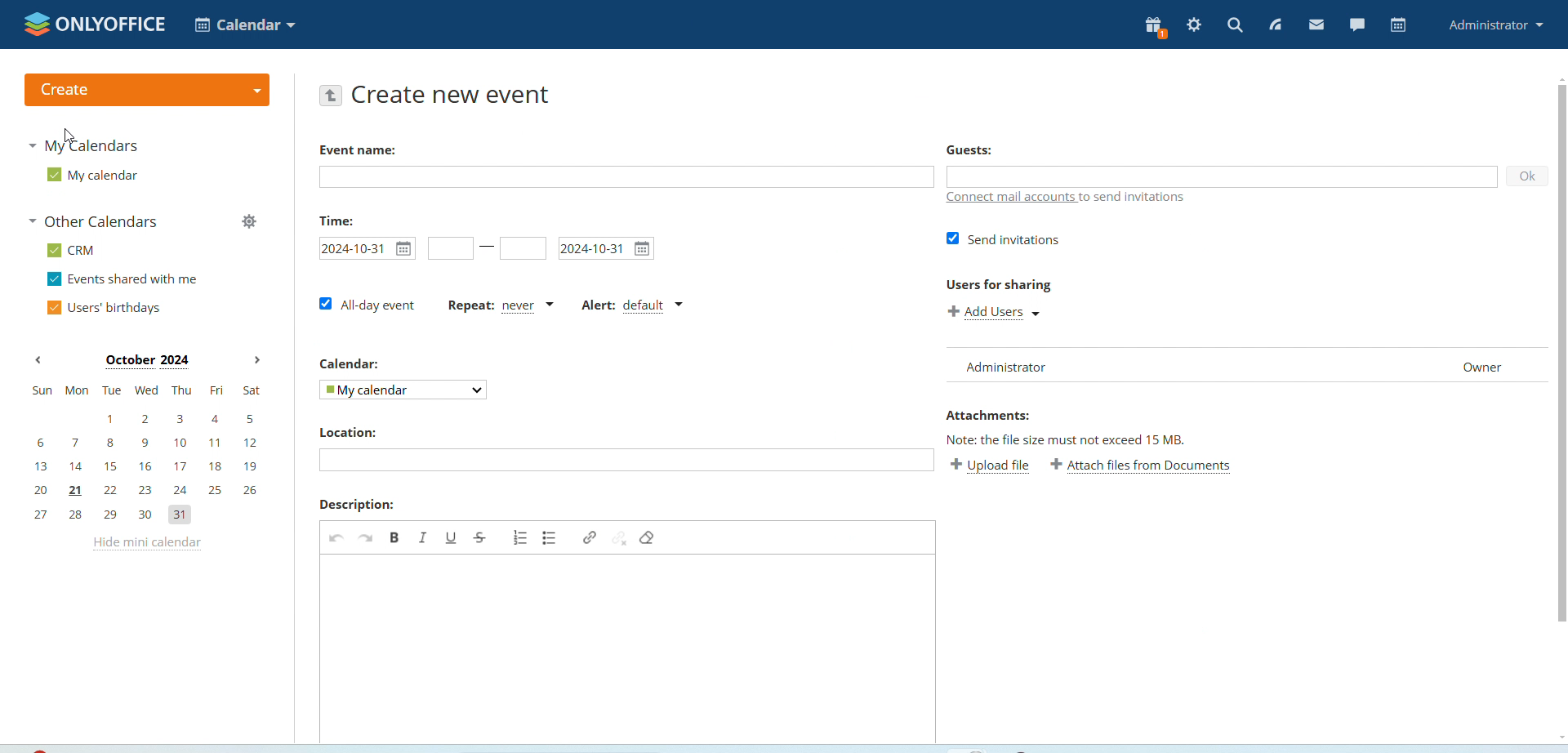 This screenshot has width=1568, height=753. I want to click on attach file from documents, so click(1145, 466).